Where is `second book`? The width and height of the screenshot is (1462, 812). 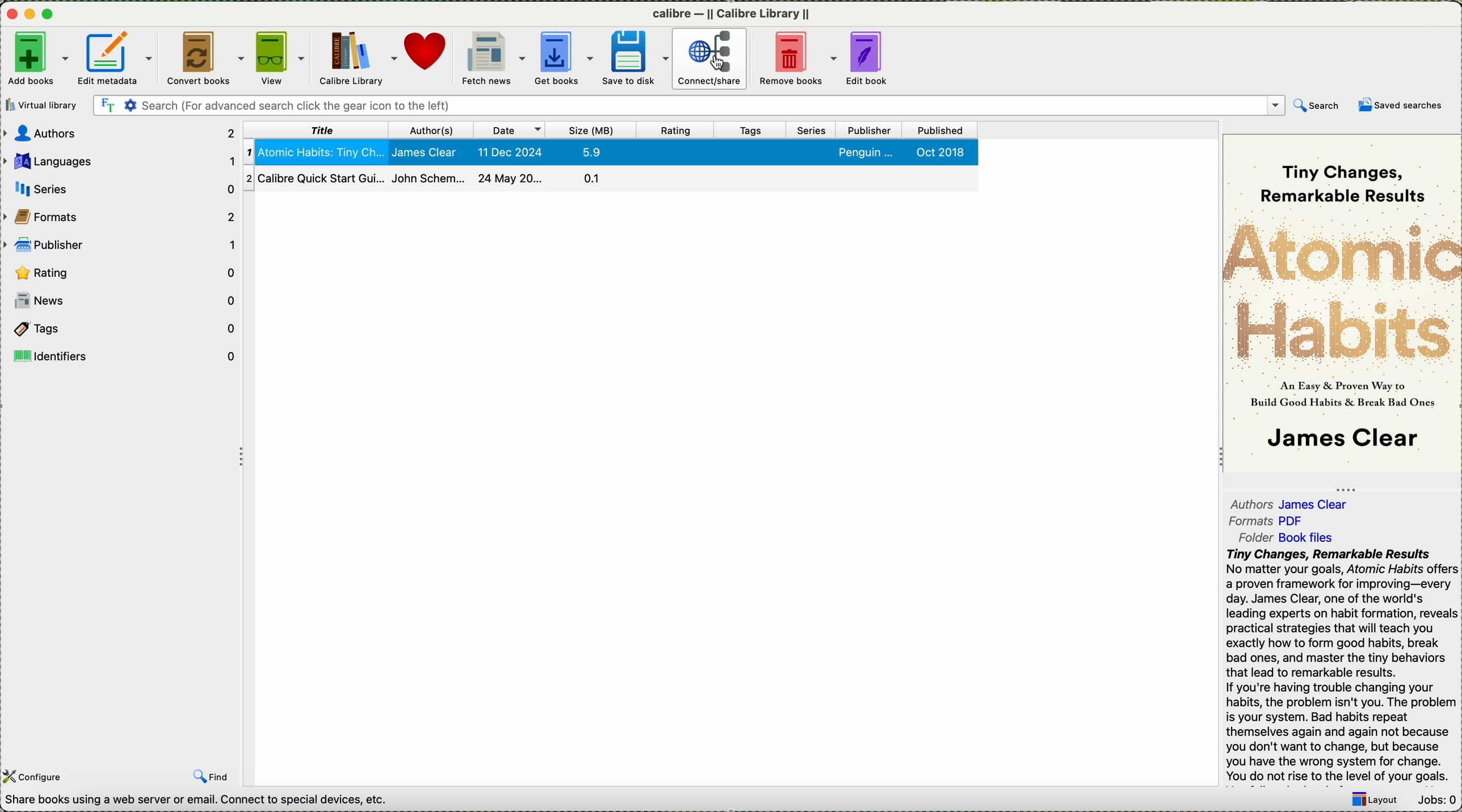 second book is located at coordinates (610, 179).